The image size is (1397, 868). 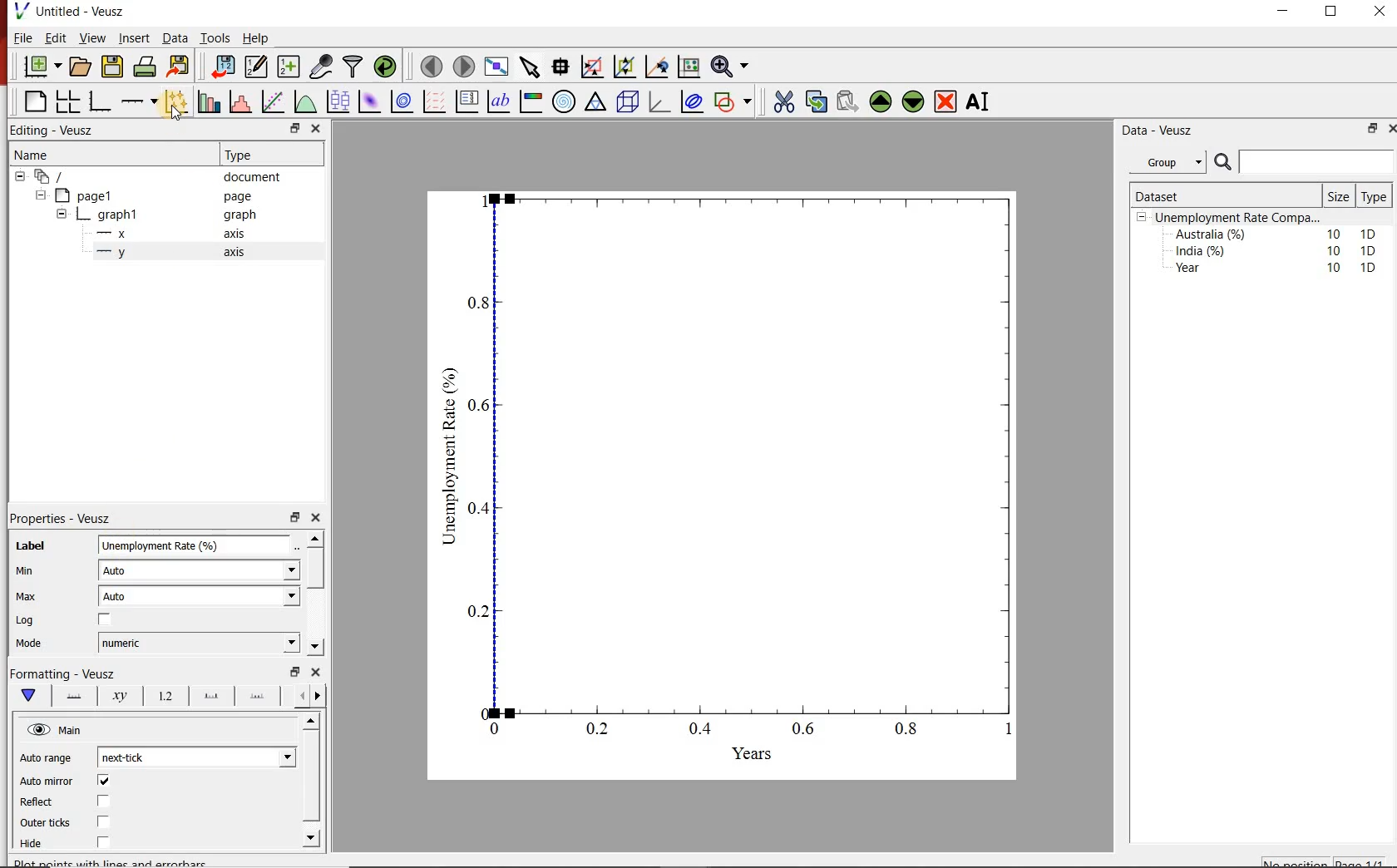 What do you see at coordinates (432, 65) in the screenshot?
I see `move to previous page` at bounding box center [432, 65].